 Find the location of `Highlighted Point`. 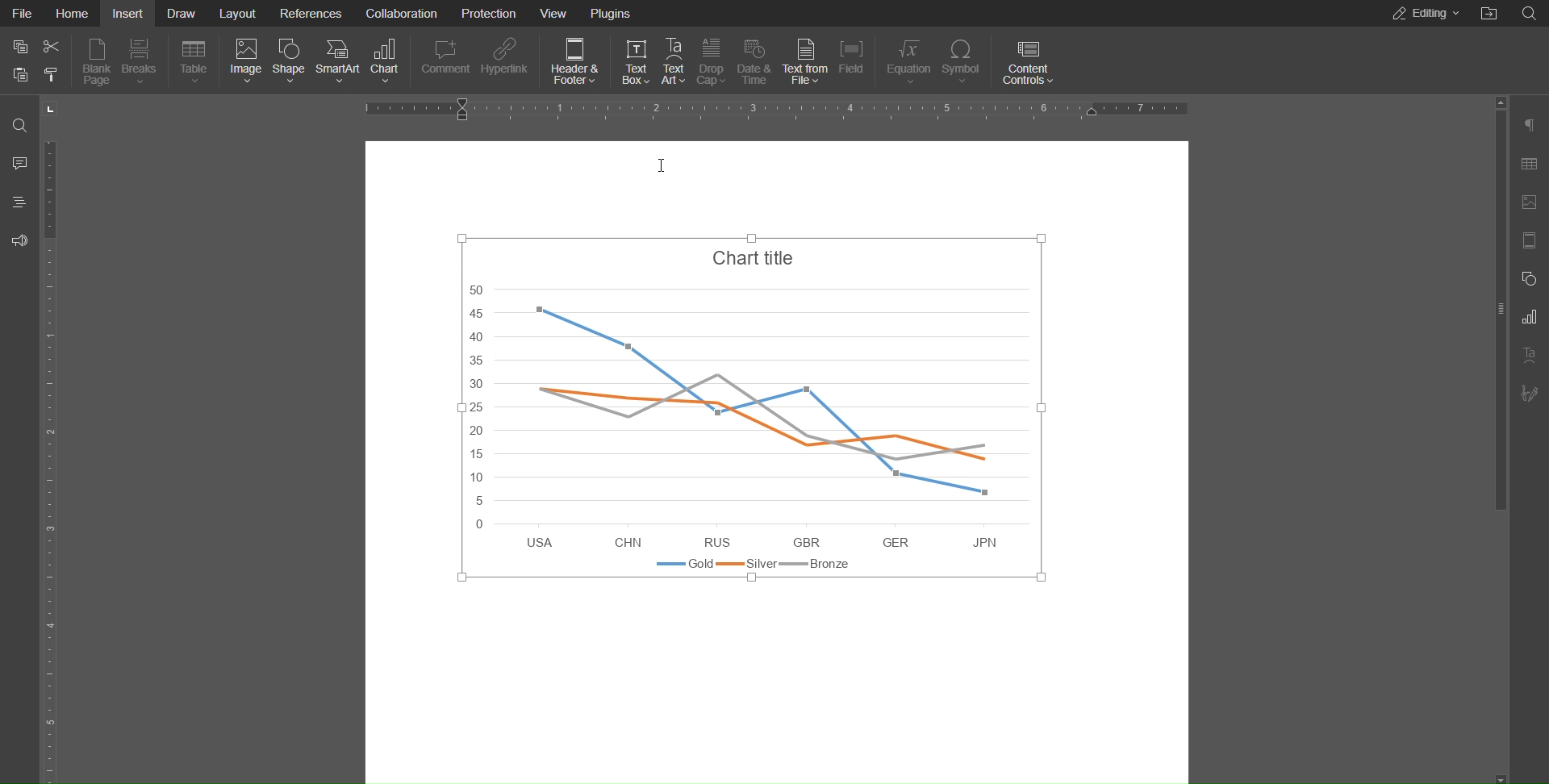

Highlighted Point is located at coordinates (806, 390).